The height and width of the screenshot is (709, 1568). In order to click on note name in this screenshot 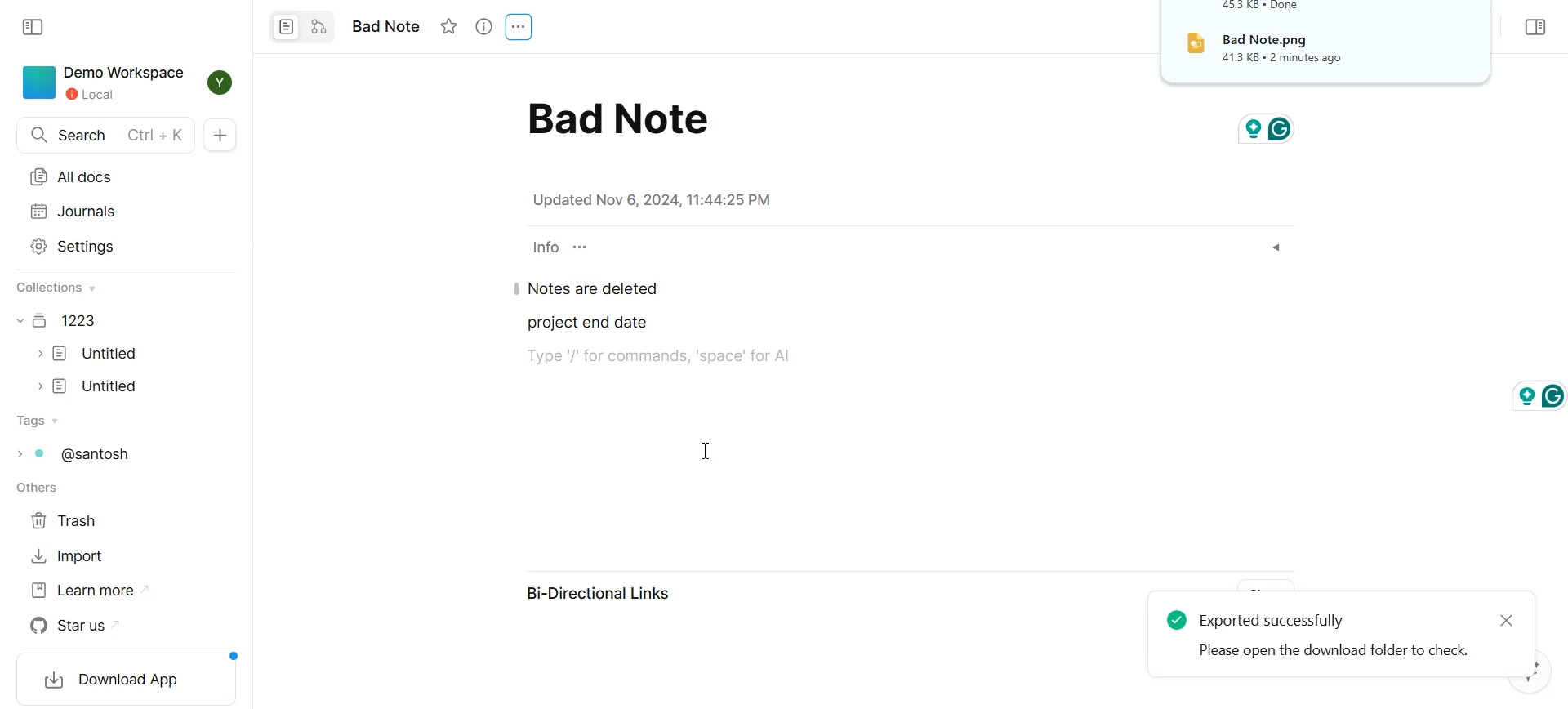, I will do `click(390, 26)`.